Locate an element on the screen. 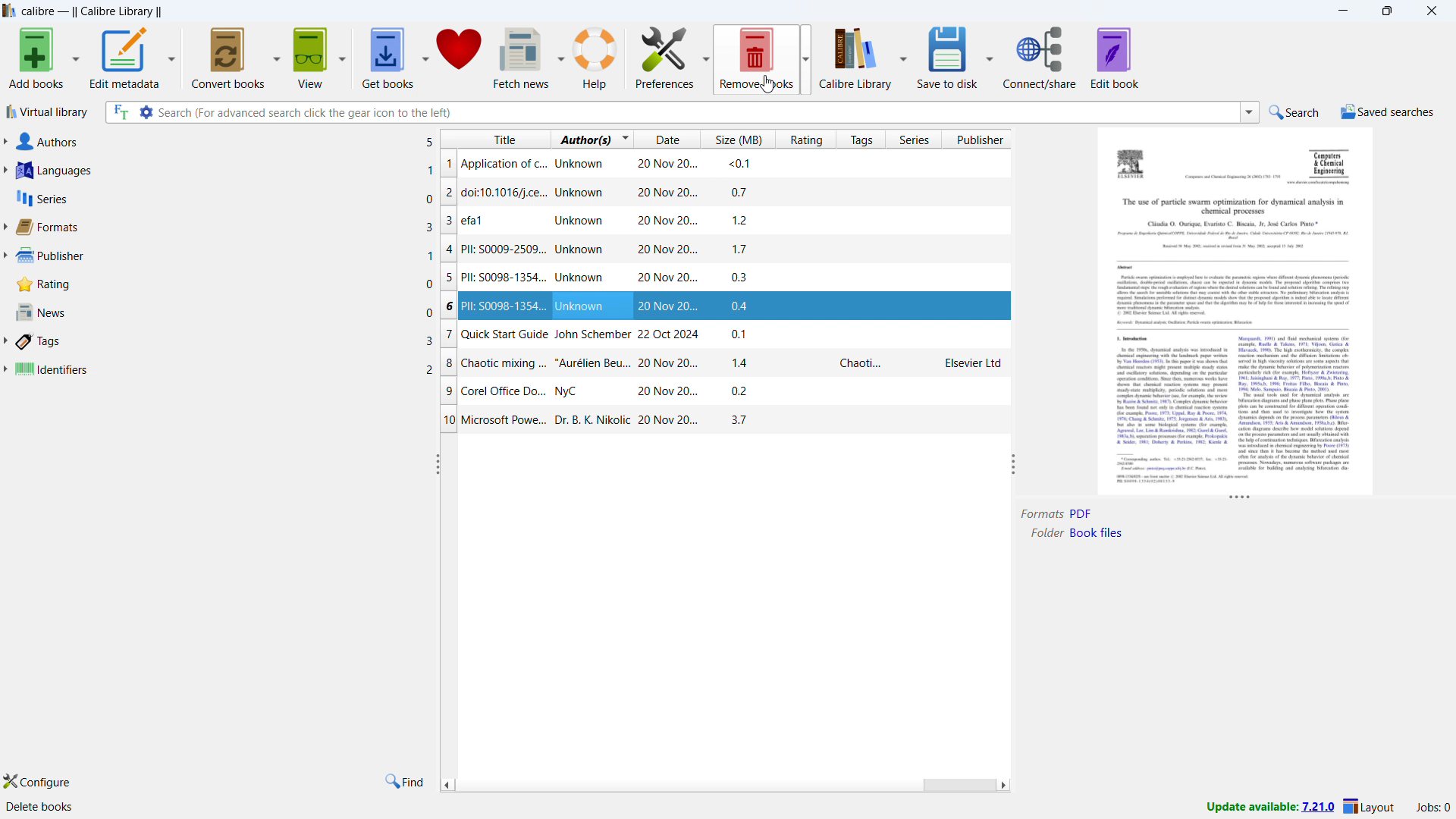  PII: S0098-1354... is located at coordinates (724, 308).